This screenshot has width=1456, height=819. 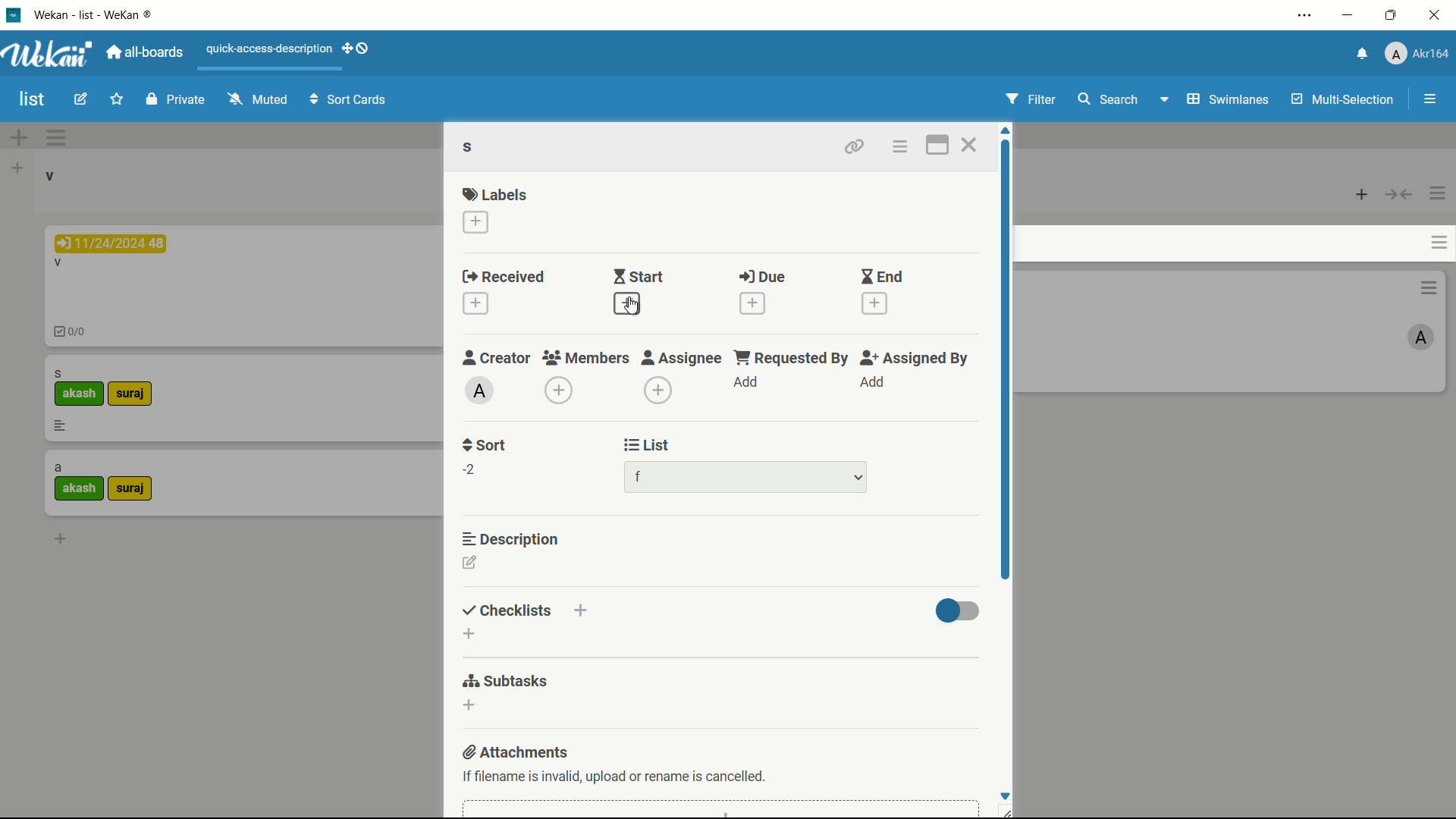 What do you see at coordinates (586, 359) in the screenshot?
I see `members` at bounding box center [586, 359].